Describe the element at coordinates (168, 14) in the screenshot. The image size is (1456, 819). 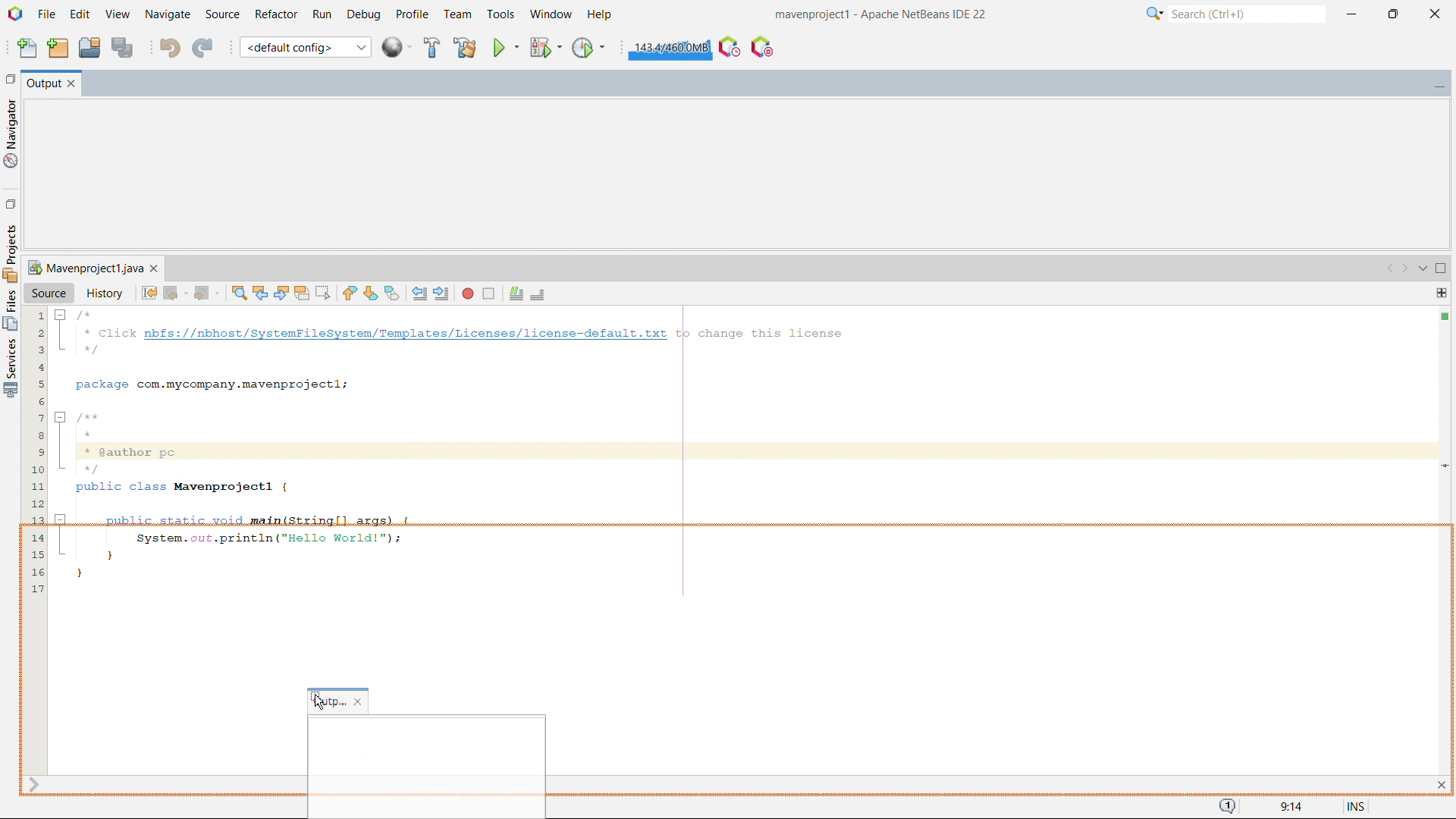
I see `navigate` at that location.